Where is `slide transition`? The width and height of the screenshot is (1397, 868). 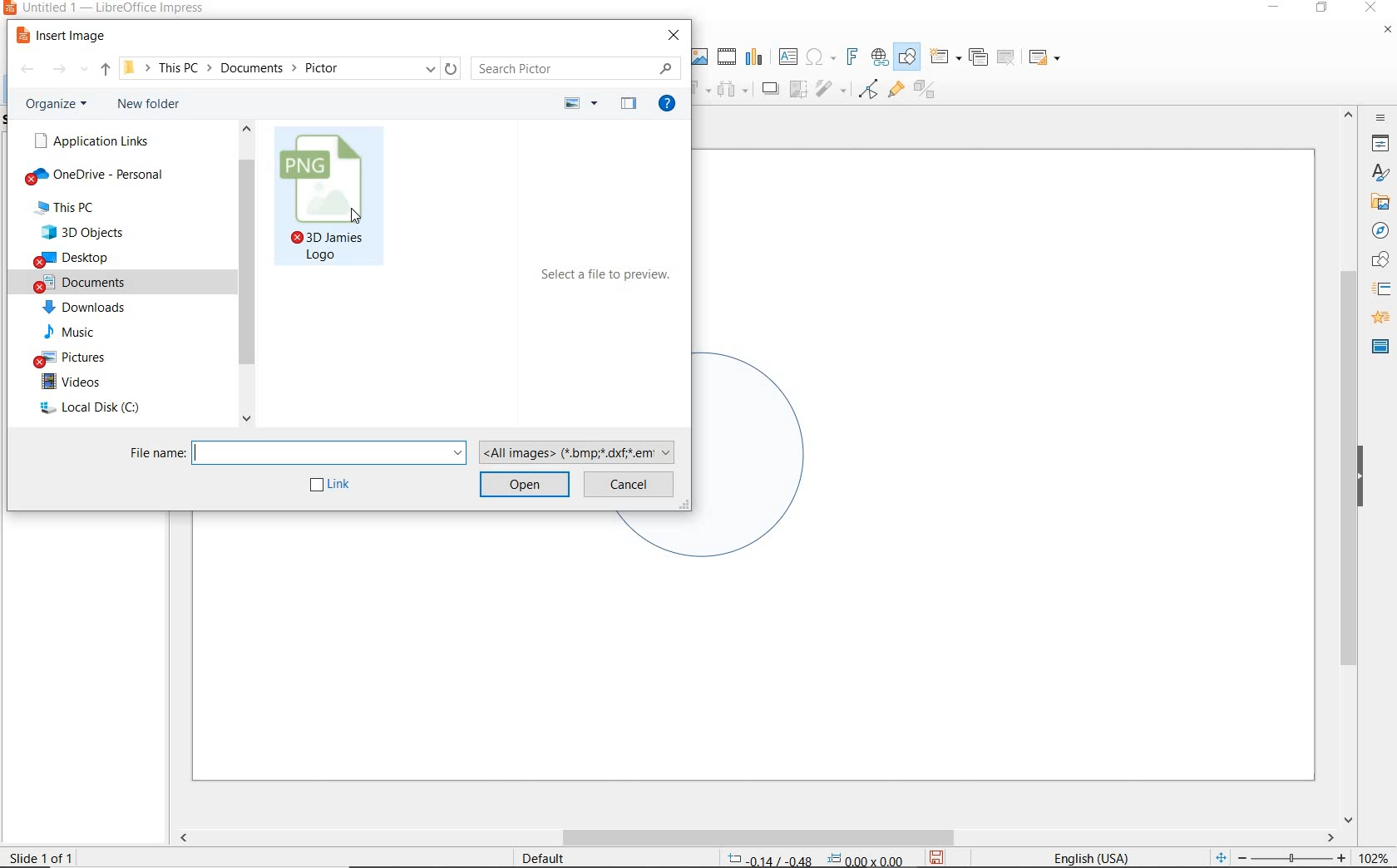
slide transition is located at coordinates (1380, 289).